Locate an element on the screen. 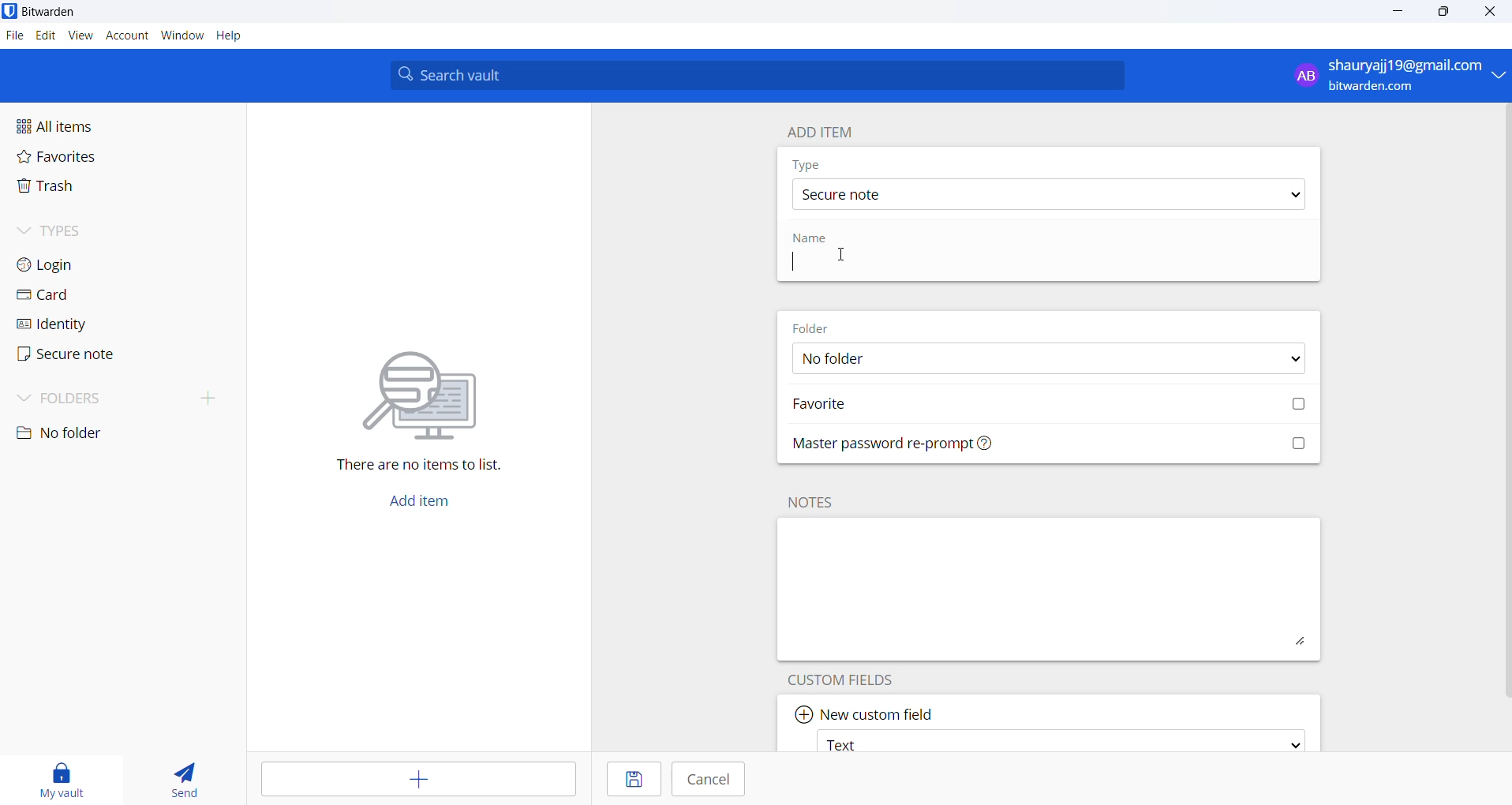 This screenshot has width=1512, height=805. name is located at coordinates (814, 239).